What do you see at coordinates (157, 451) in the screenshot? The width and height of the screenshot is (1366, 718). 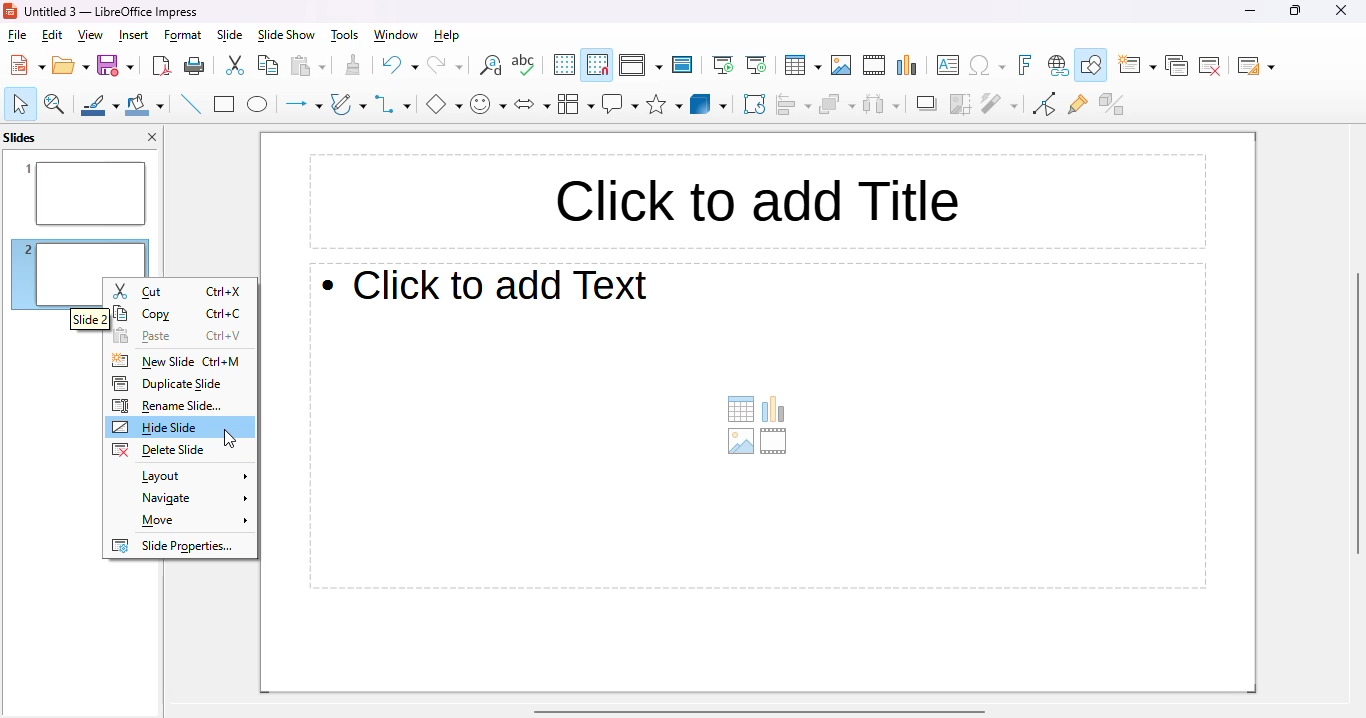 I see `delete slide` at bounding box center [157, 451].